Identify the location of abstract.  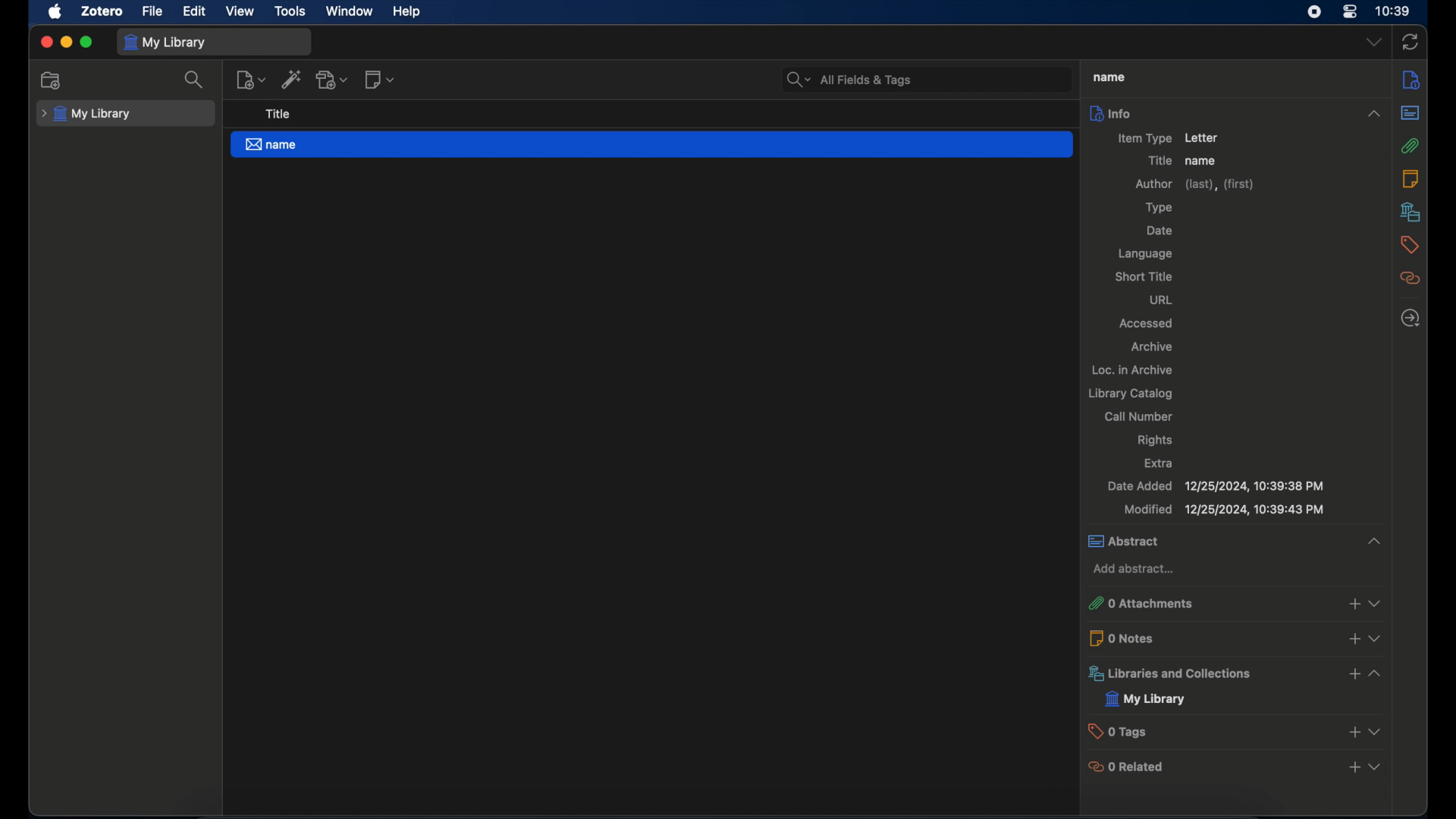
(1129, 540).